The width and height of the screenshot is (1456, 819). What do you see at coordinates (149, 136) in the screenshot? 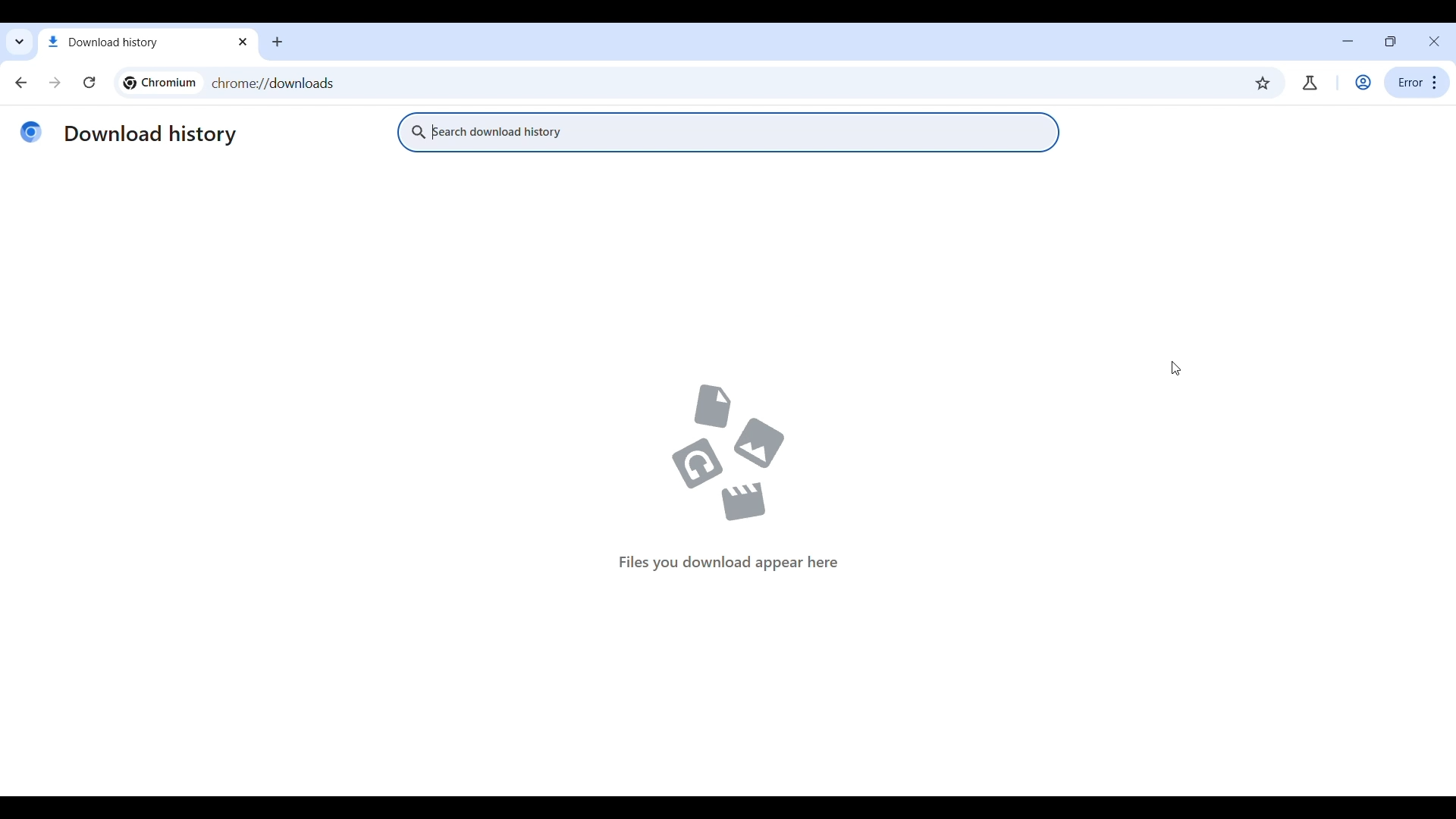
I see `download history ` at bounding box center [149, 136].